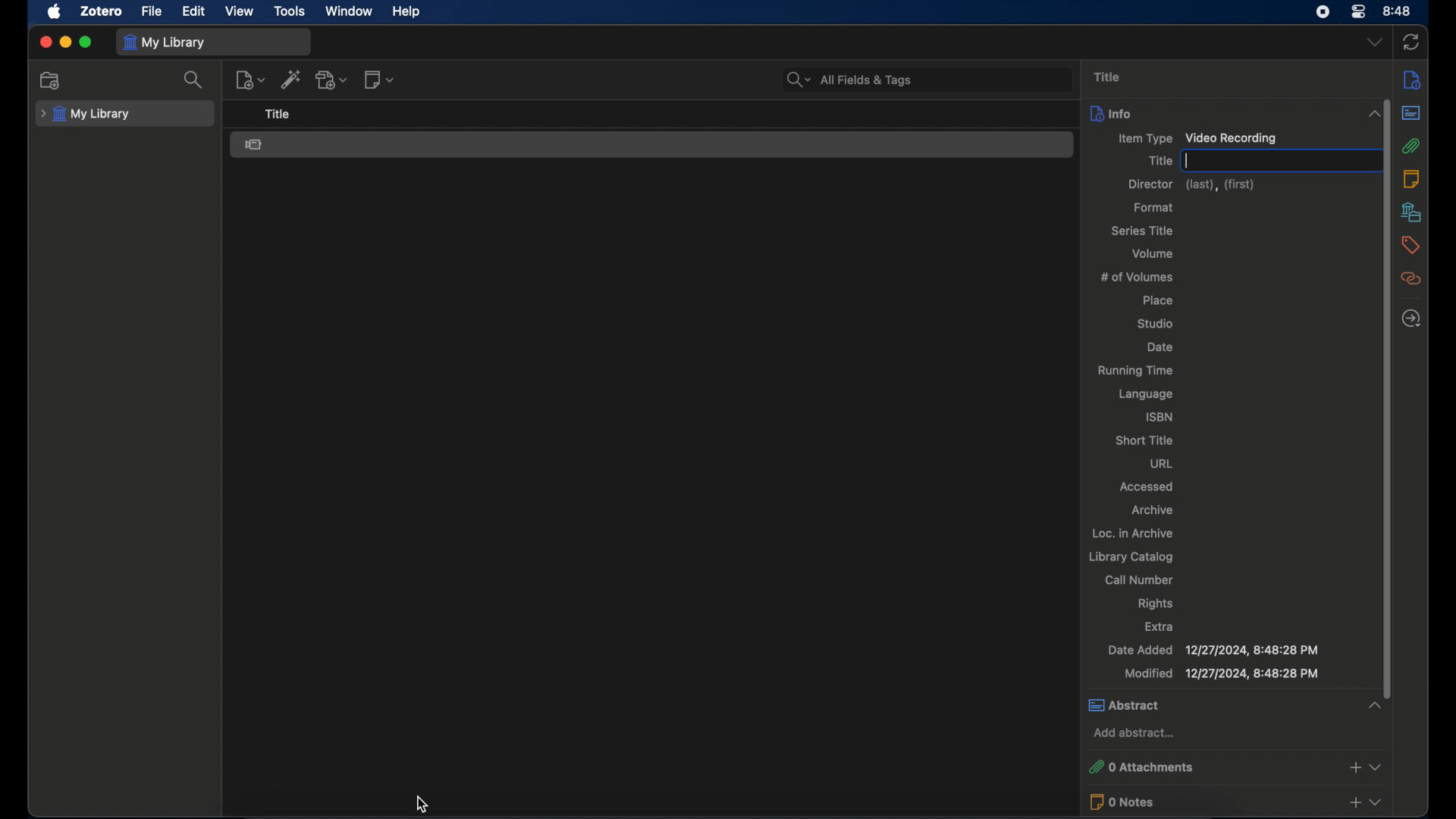 The height and width of the screenshot is (819, 1456). I want to click on new item, so click(249, 80).